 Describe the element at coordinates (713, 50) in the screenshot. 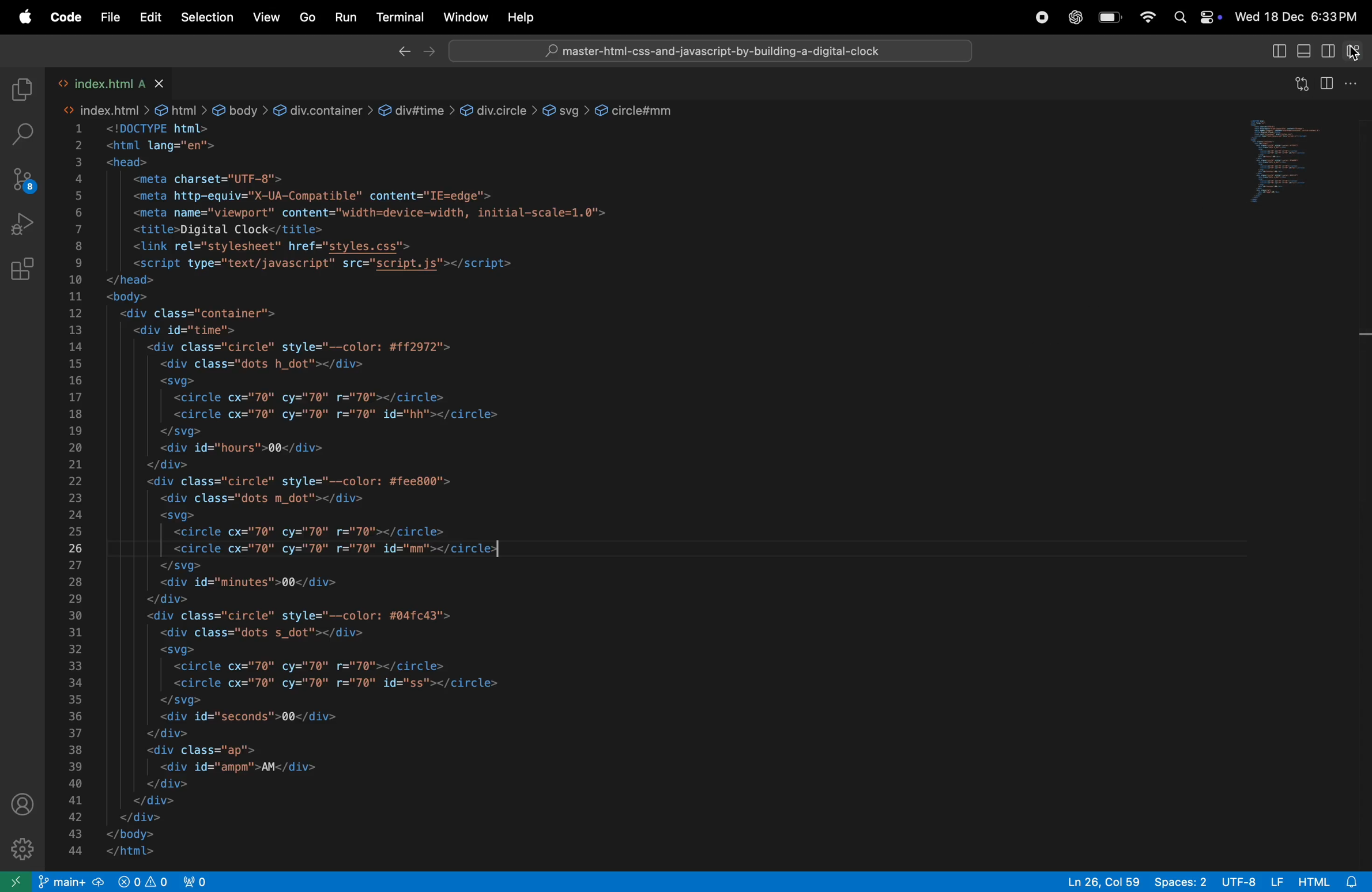

I see `Search bar` at that location.